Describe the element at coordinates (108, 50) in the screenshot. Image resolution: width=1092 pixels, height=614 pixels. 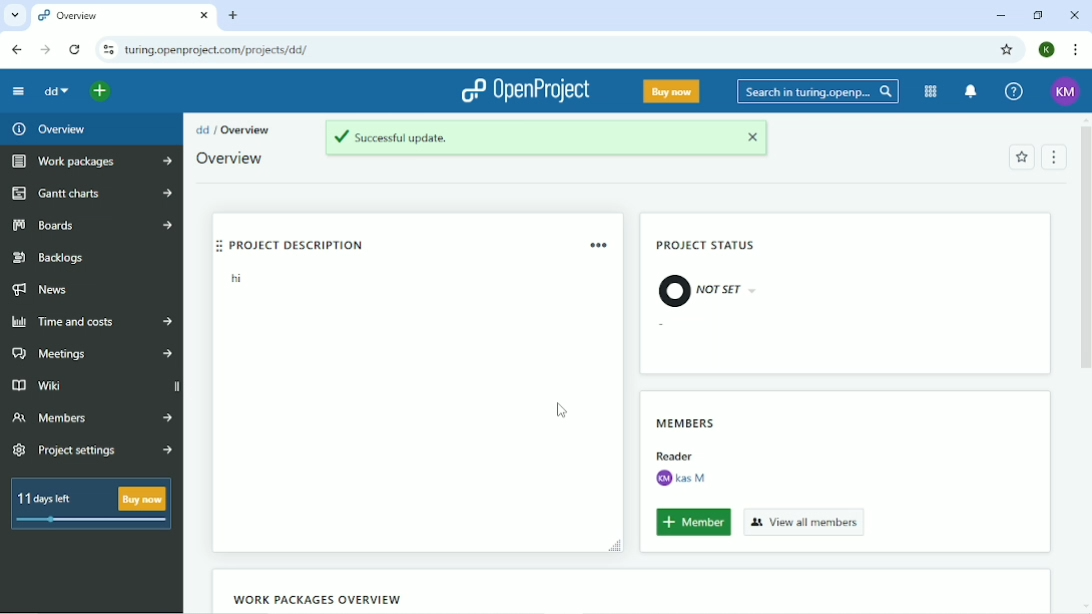
I see `View site information` at that location.